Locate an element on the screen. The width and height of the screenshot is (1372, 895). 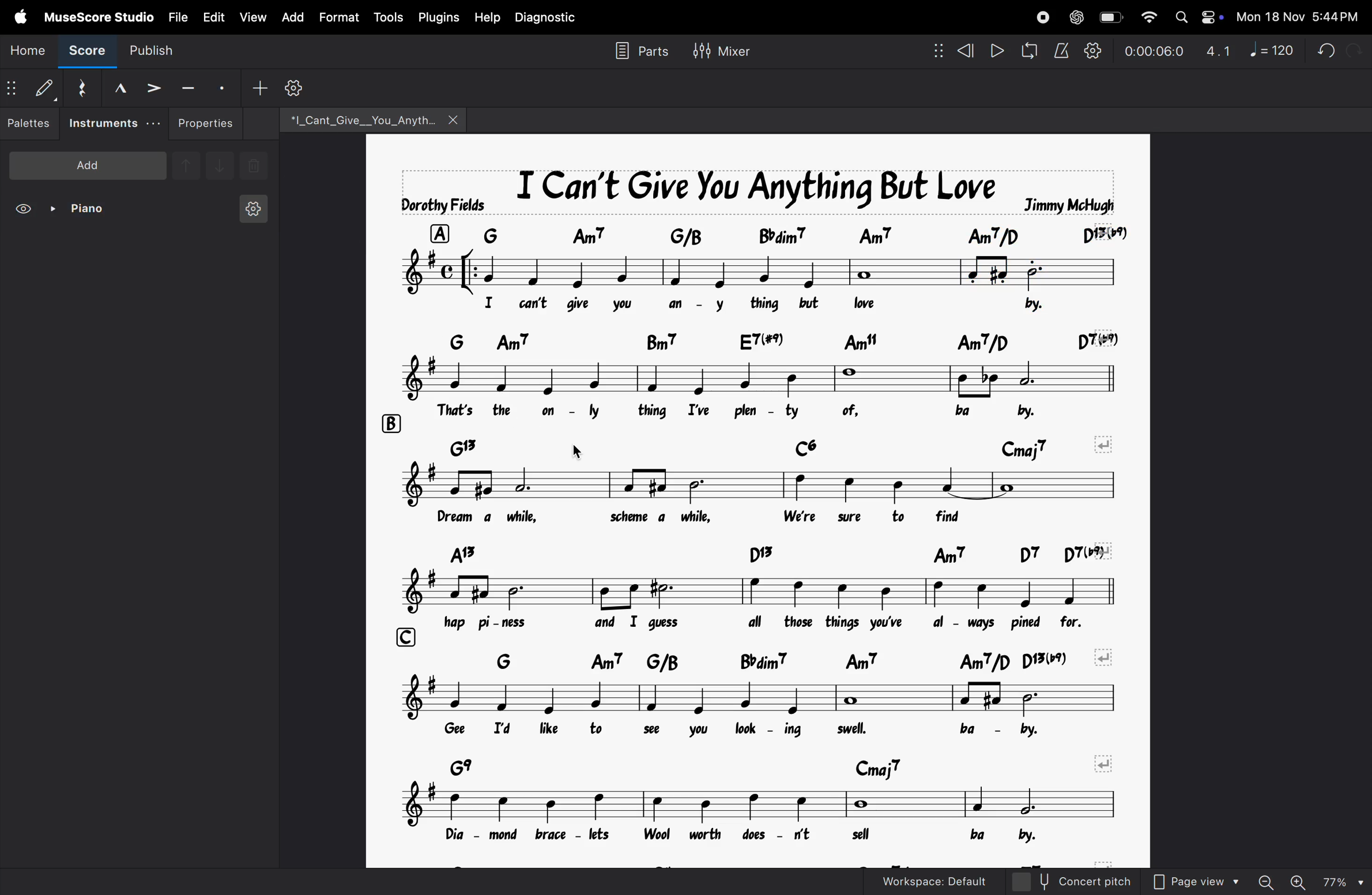
music title is located at coordinates (759, 189).